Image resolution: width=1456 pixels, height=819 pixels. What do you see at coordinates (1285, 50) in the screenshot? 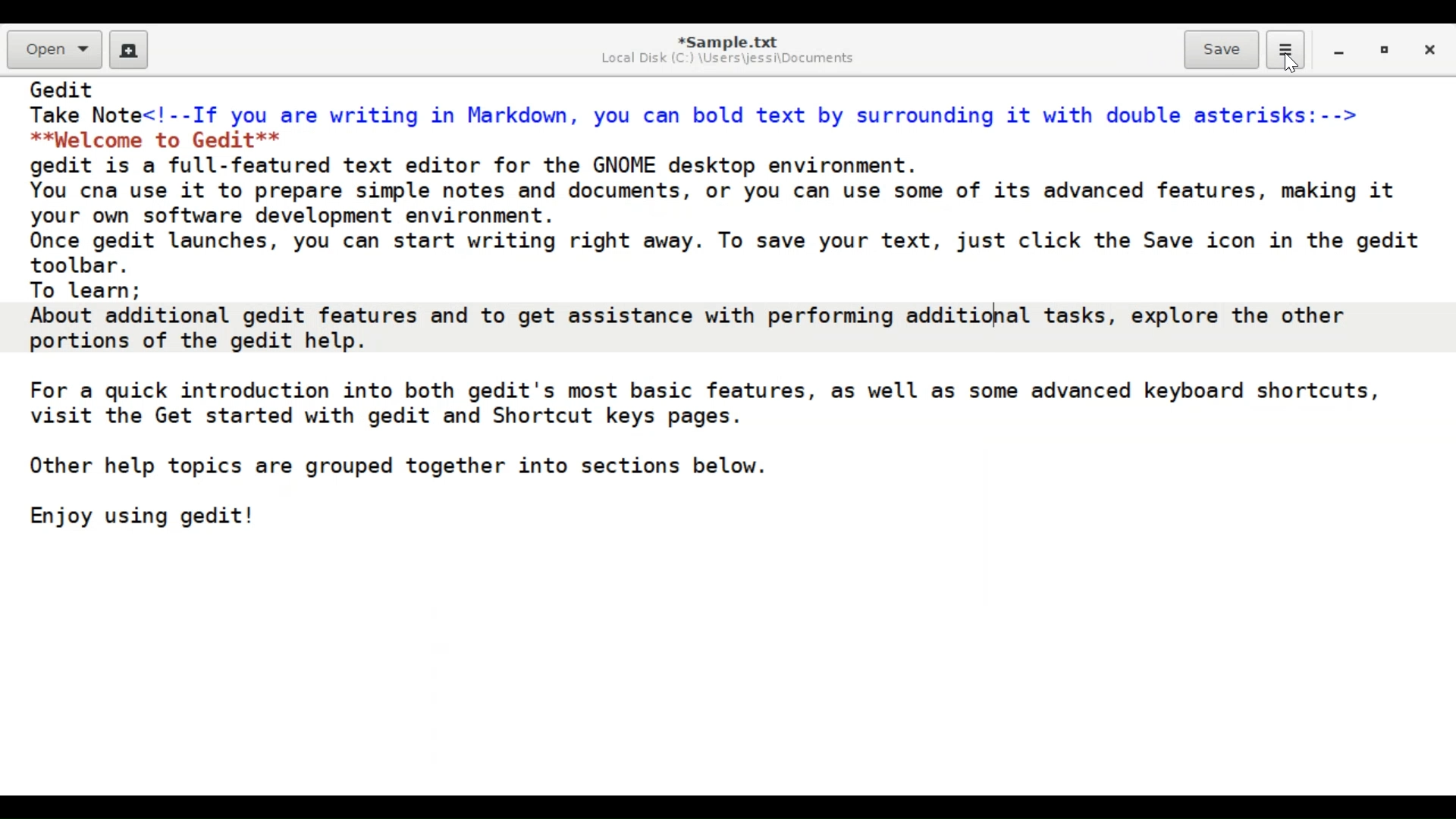
I see `Application menu` at bounding box center [1285, 50].